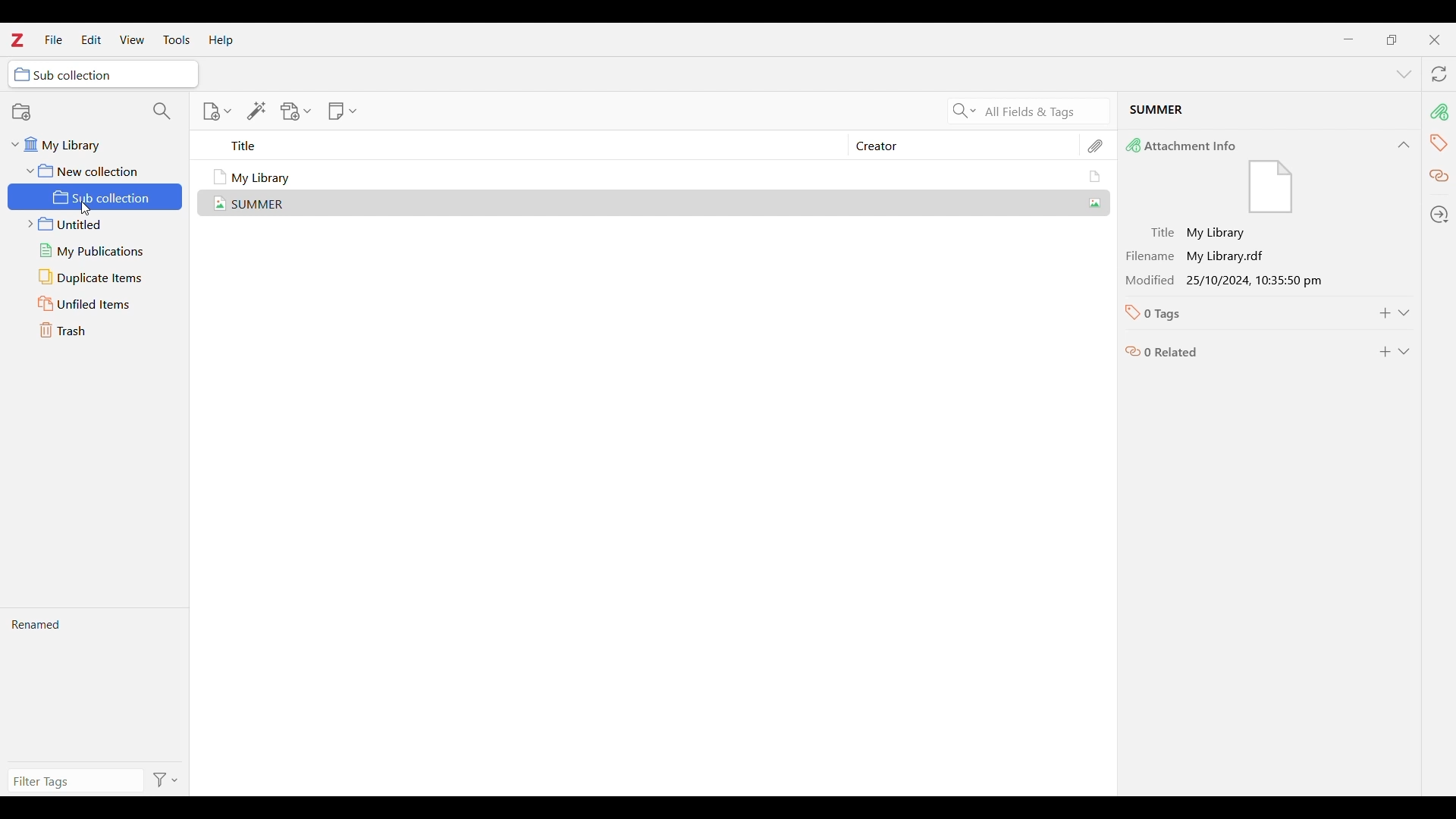 This screenshot has width=1456, height=819. I want to click on Current selected file, so click(1269, 112).